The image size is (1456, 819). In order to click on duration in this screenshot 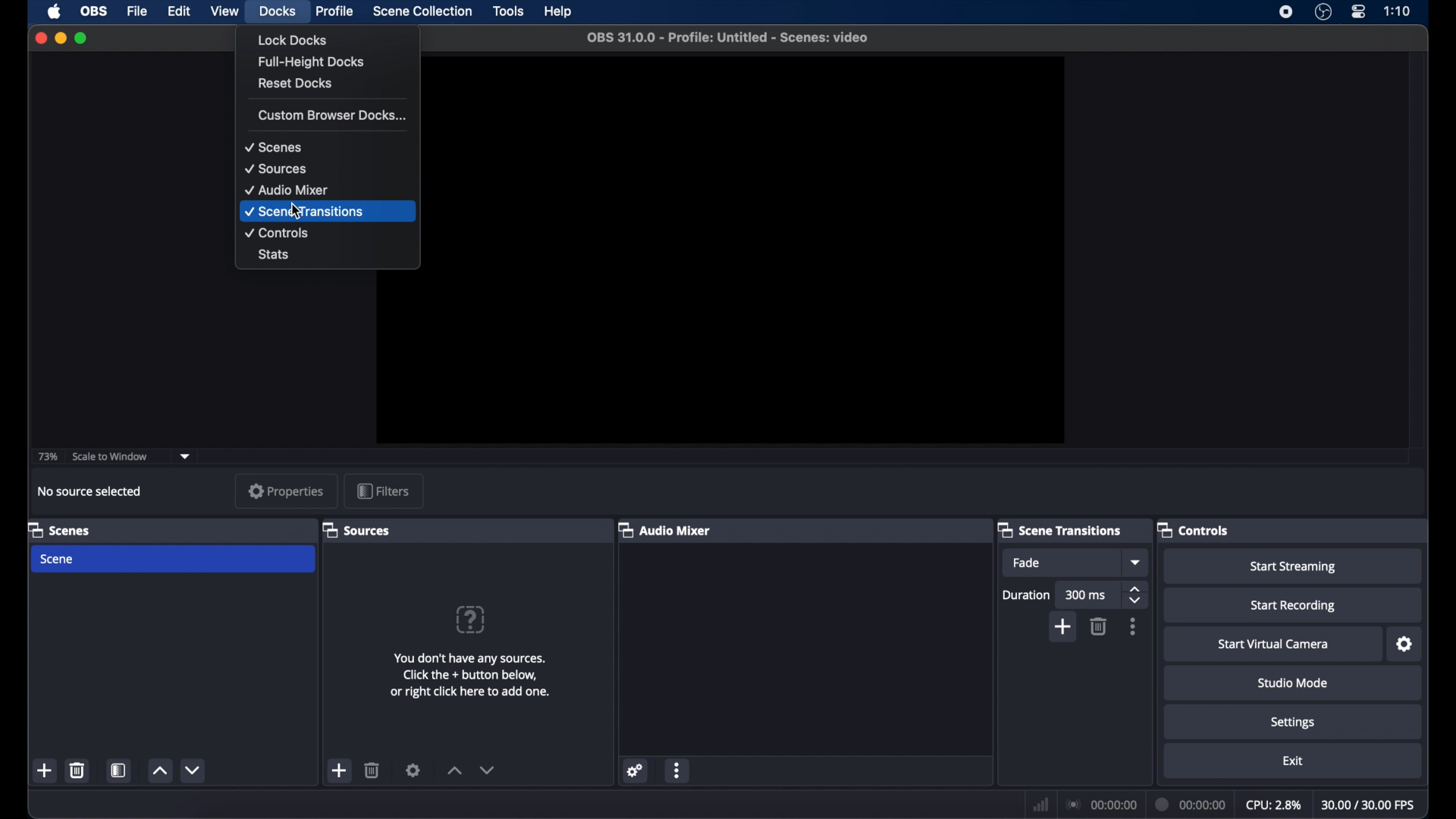, I will do `click(1191, 804)`.